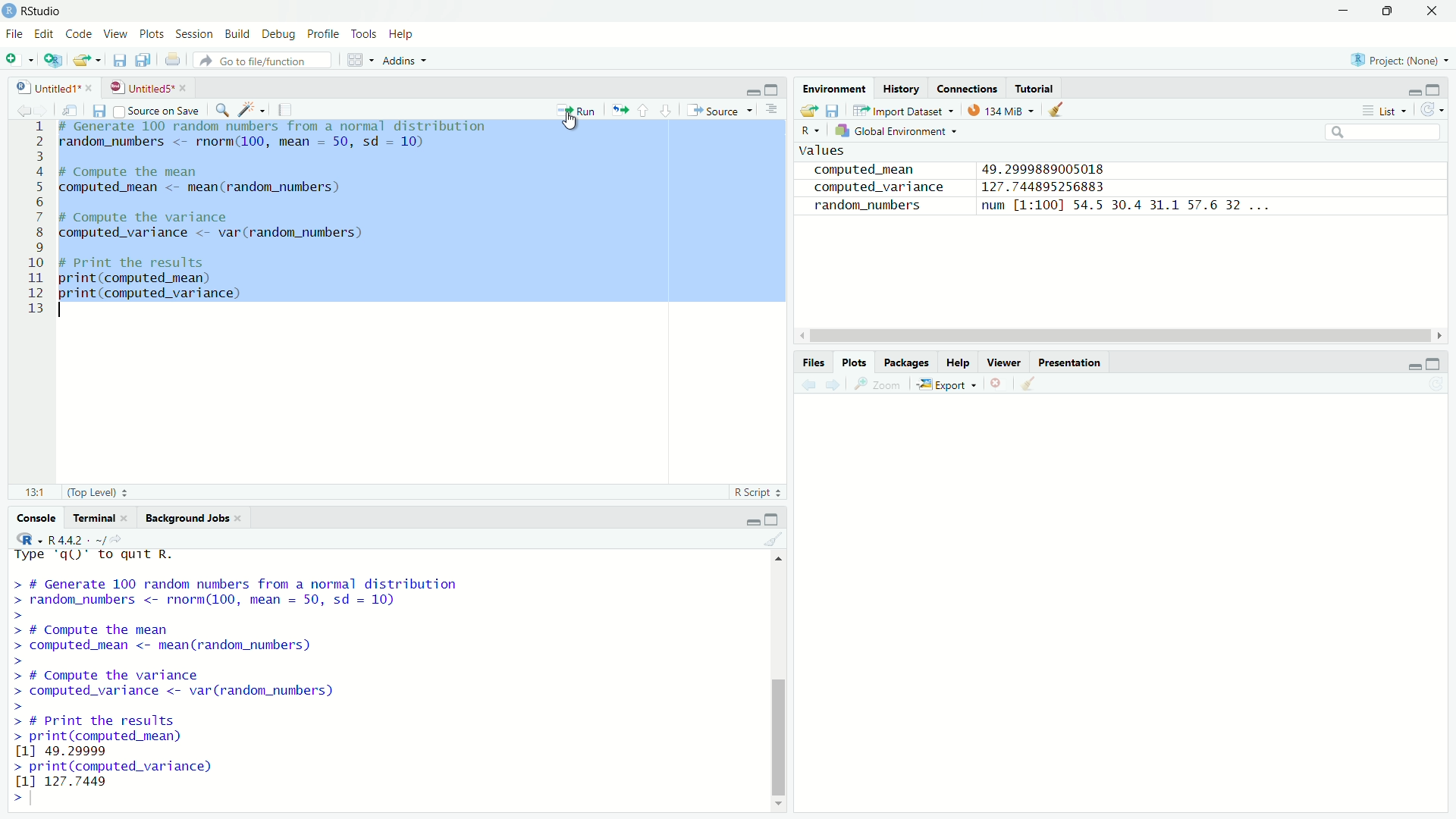 This screenshot has width=1456, height=819. What do you see at coordinates (163, 555) in the screenshot?
I see `type 'q()' to quit R.` at bounding box center [163, 555].